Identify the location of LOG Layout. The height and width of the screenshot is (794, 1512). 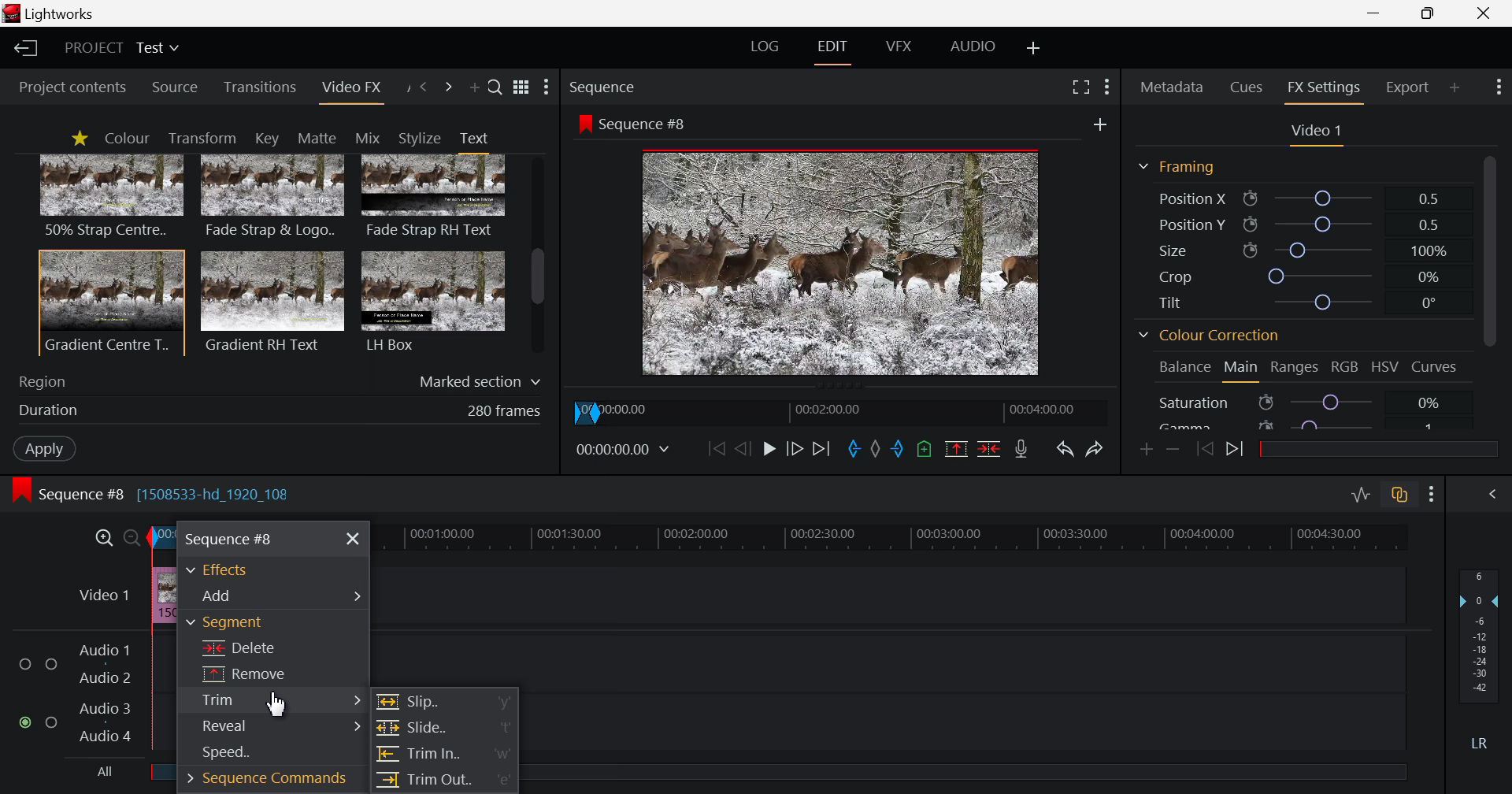
(767, 49).